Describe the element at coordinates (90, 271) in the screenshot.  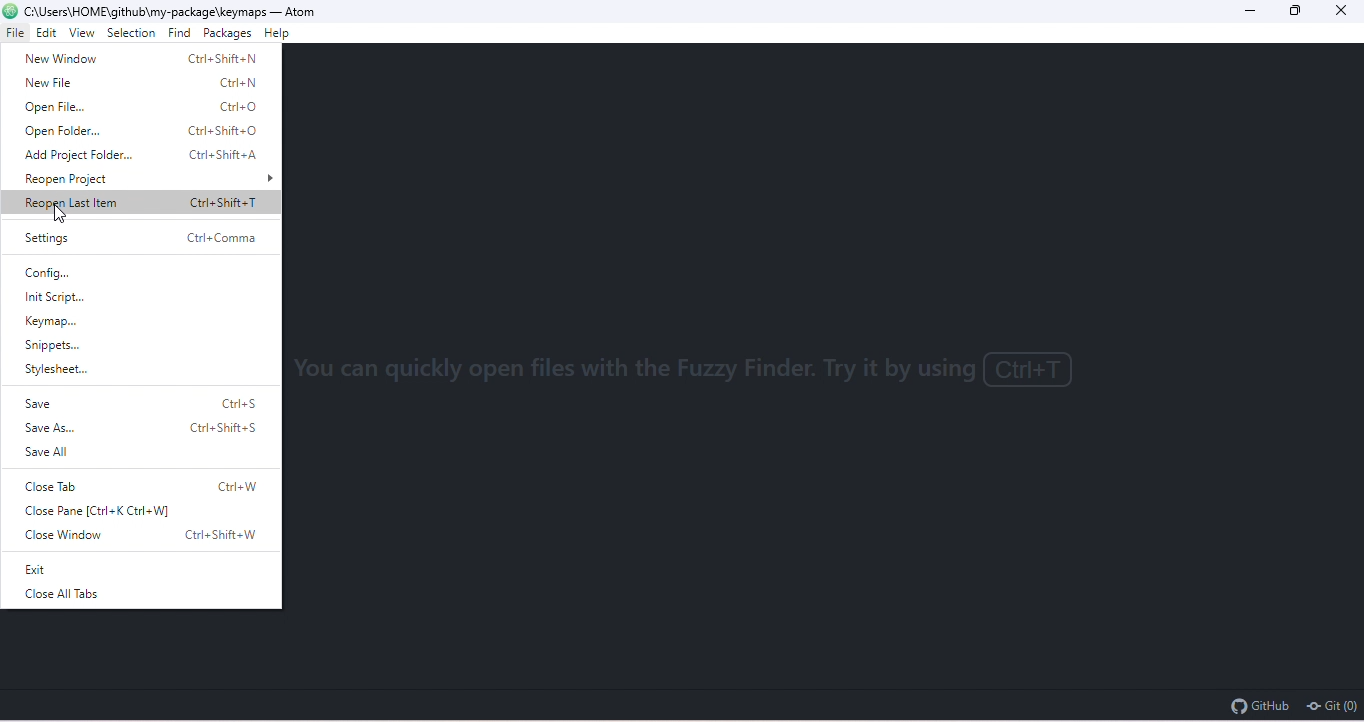
I see `config` at that location.